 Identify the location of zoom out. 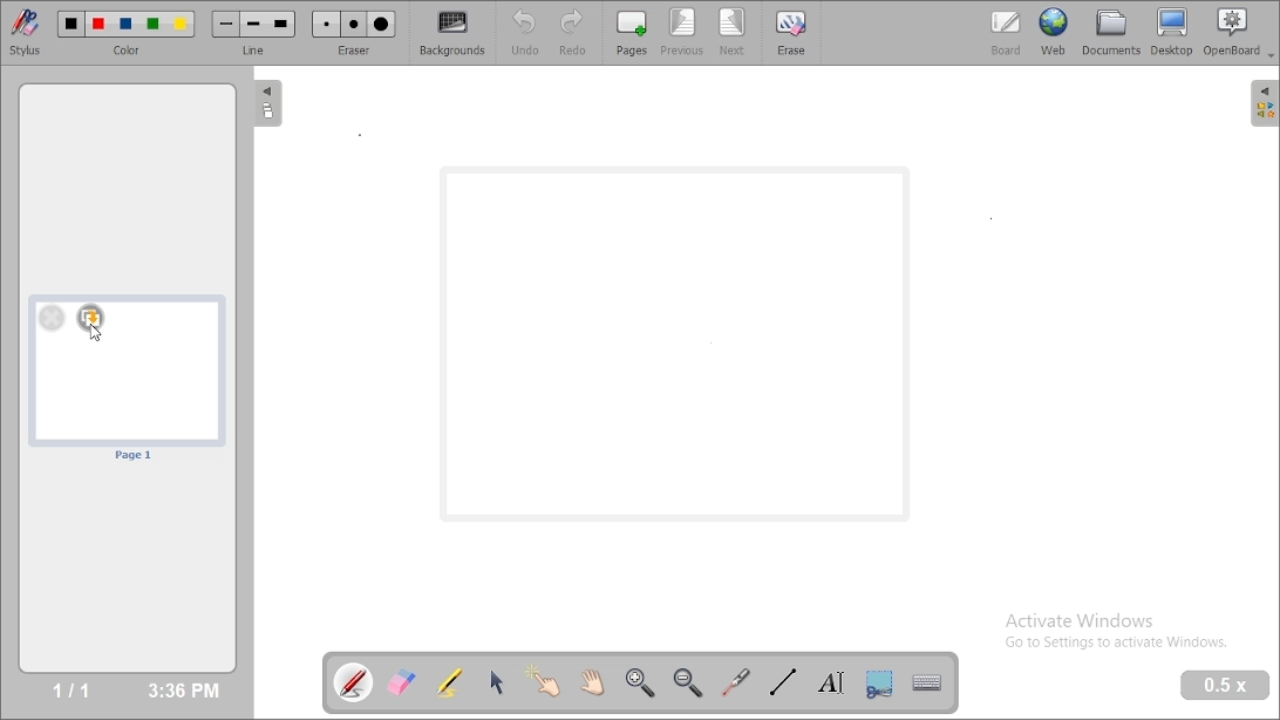
(690, 683).